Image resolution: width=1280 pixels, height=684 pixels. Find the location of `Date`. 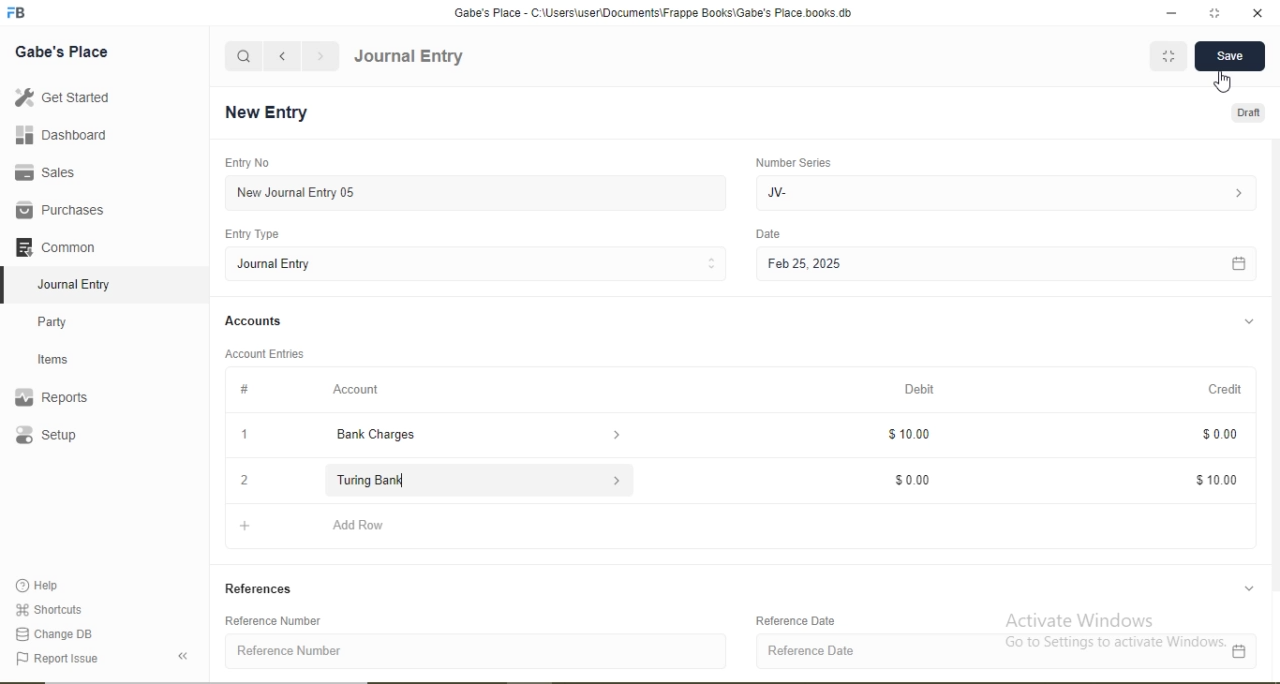

Date is located at coordinates (769, 234).